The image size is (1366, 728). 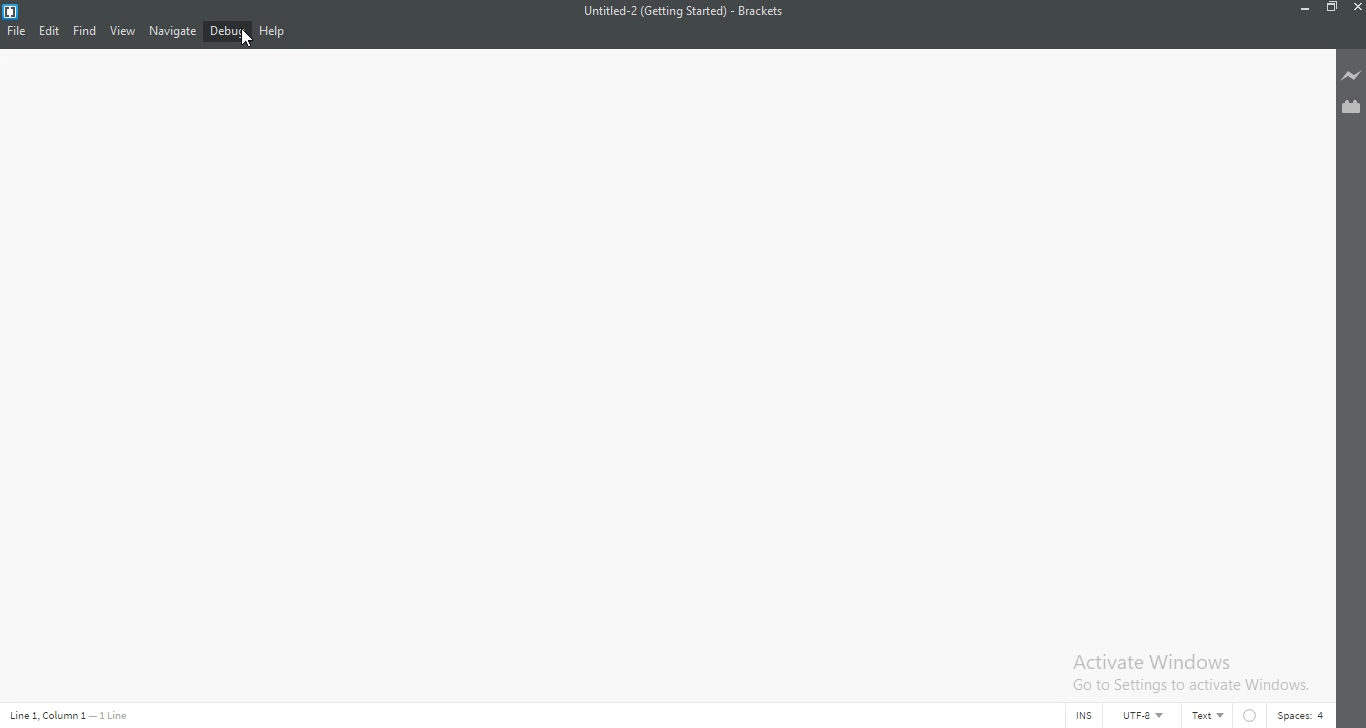 What do you see at coordinates (1149, 715) in the screenshot?
I see `UTF-8` at bounding box center [1149, 715].